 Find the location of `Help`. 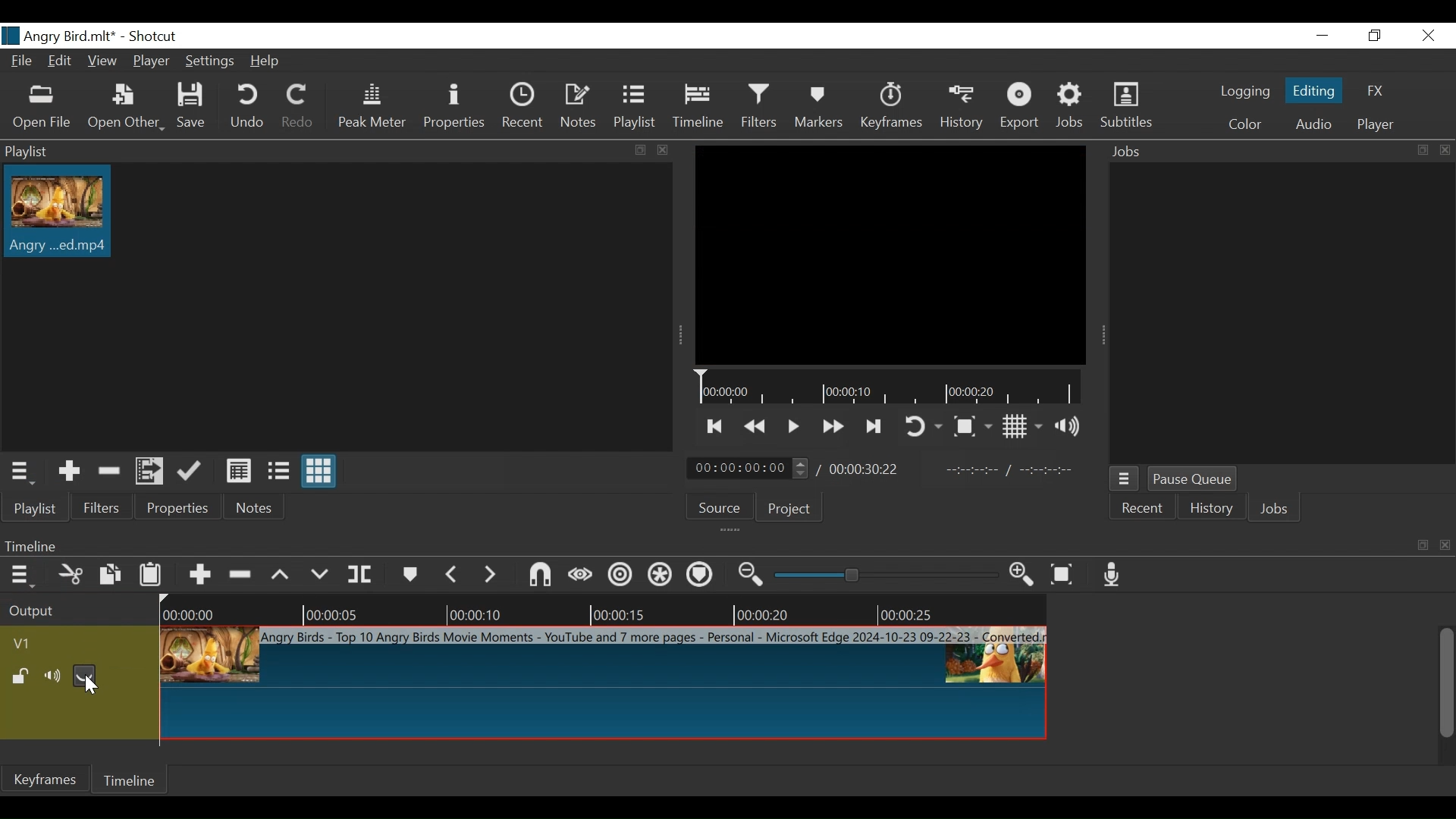

Help is located at coordinates (263, 61).